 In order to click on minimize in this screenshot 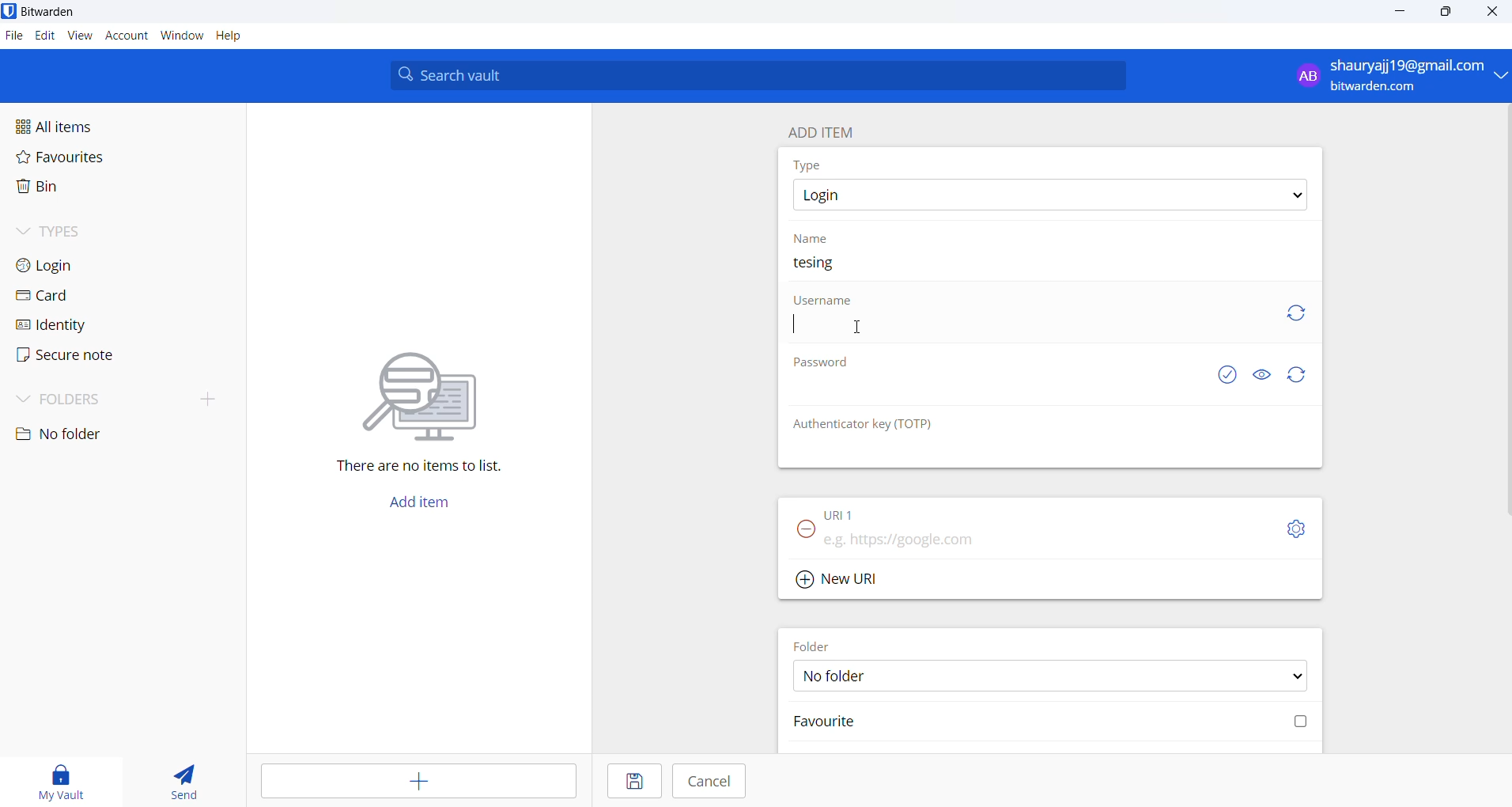, I will do `click(1402, 13)`.